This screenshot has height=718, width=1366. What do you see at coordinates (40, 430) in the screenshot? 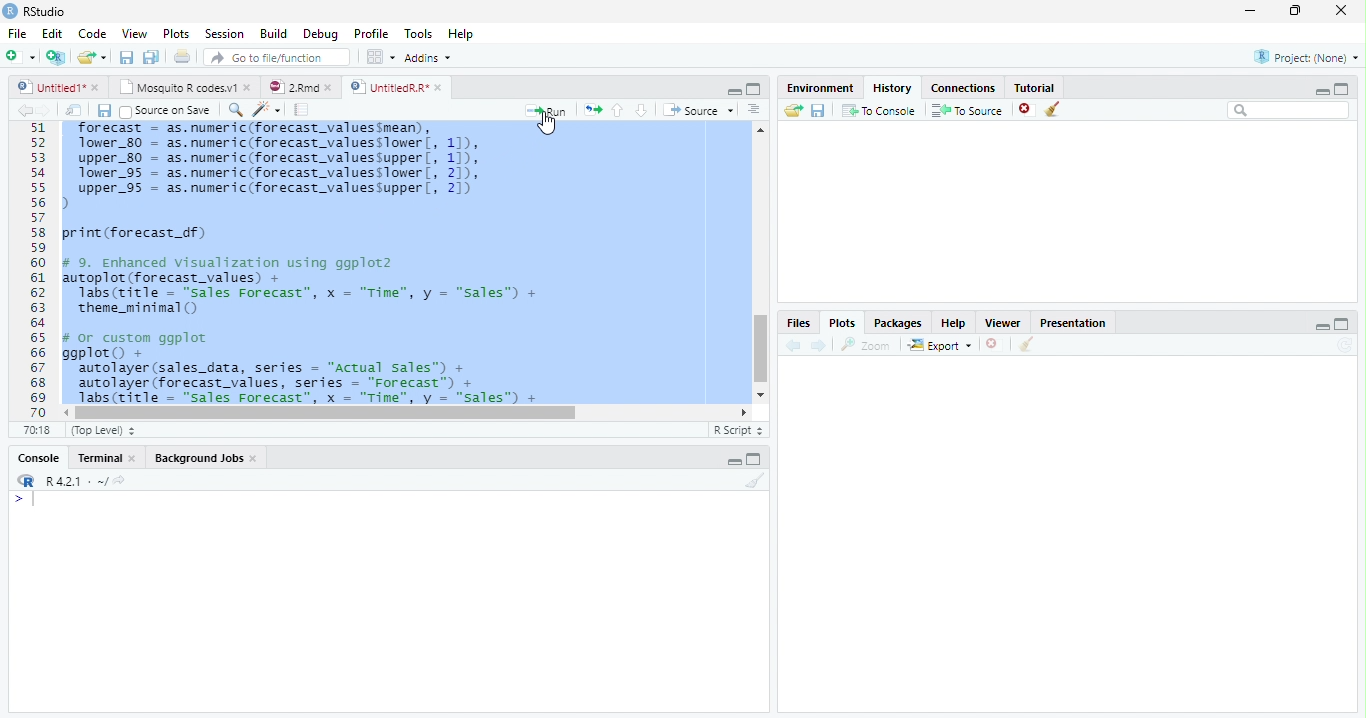
I see `1:1` at bounding box center [40, 430].